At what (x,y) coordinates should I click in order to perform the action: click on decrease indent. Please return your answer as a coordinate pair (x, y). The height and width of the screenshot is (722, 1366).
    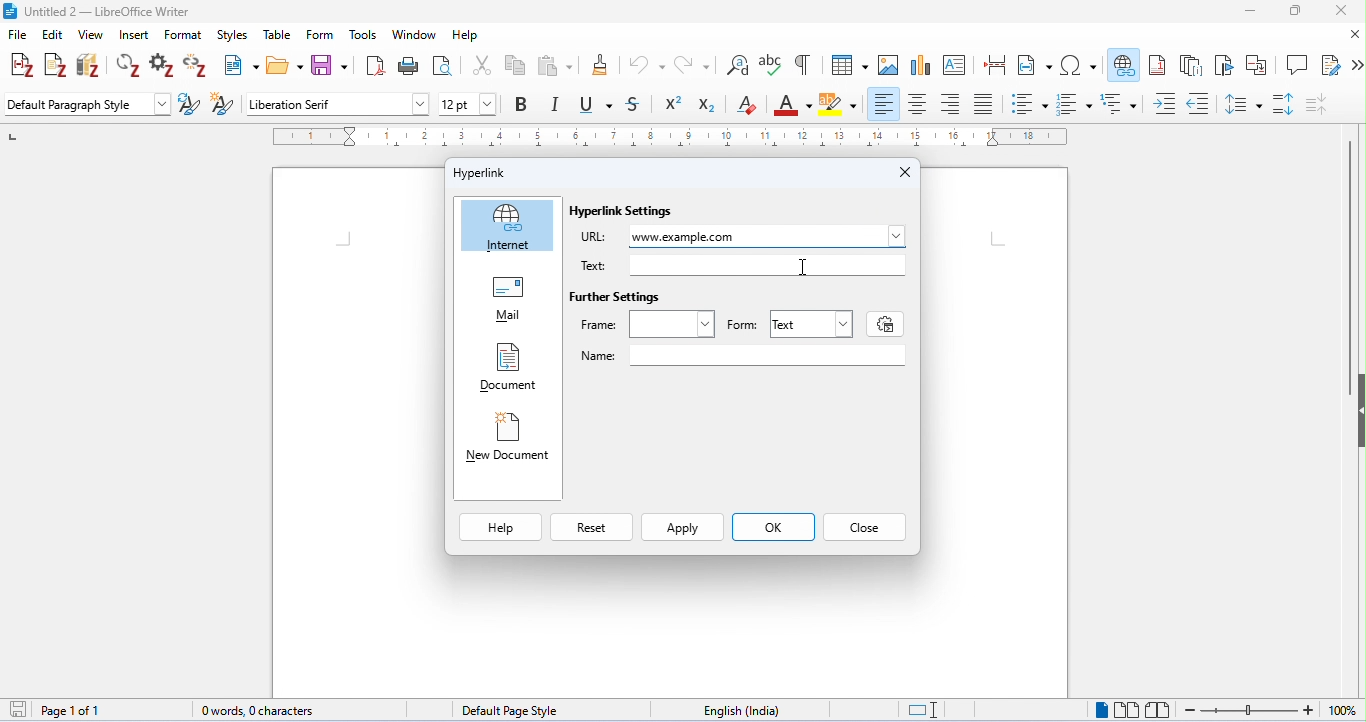
    Looking at the image, I should click on (1200, 102).